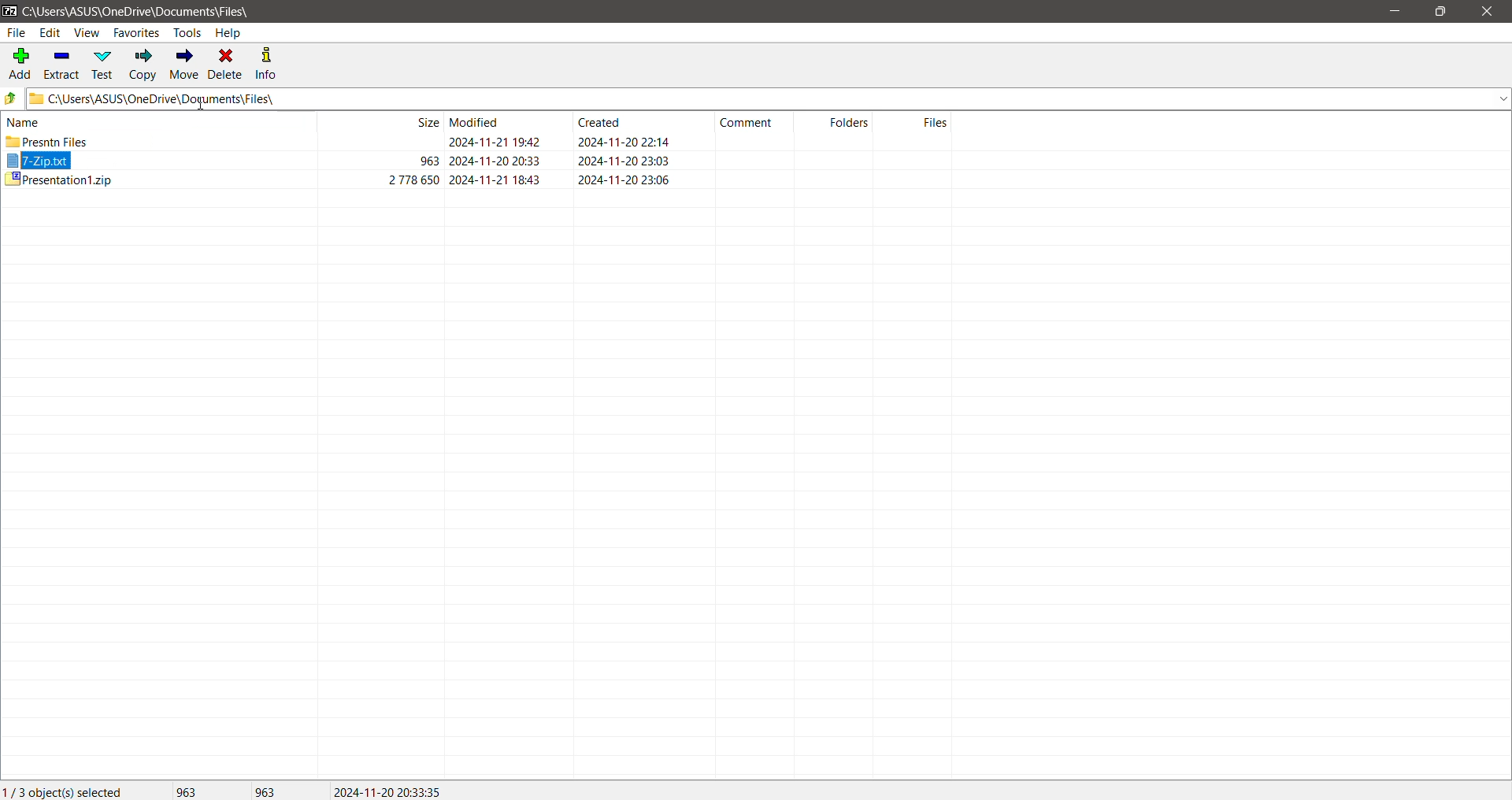  Describe the element at coordinates (187, 33) in the screenshot. I see `Tools` at that location.